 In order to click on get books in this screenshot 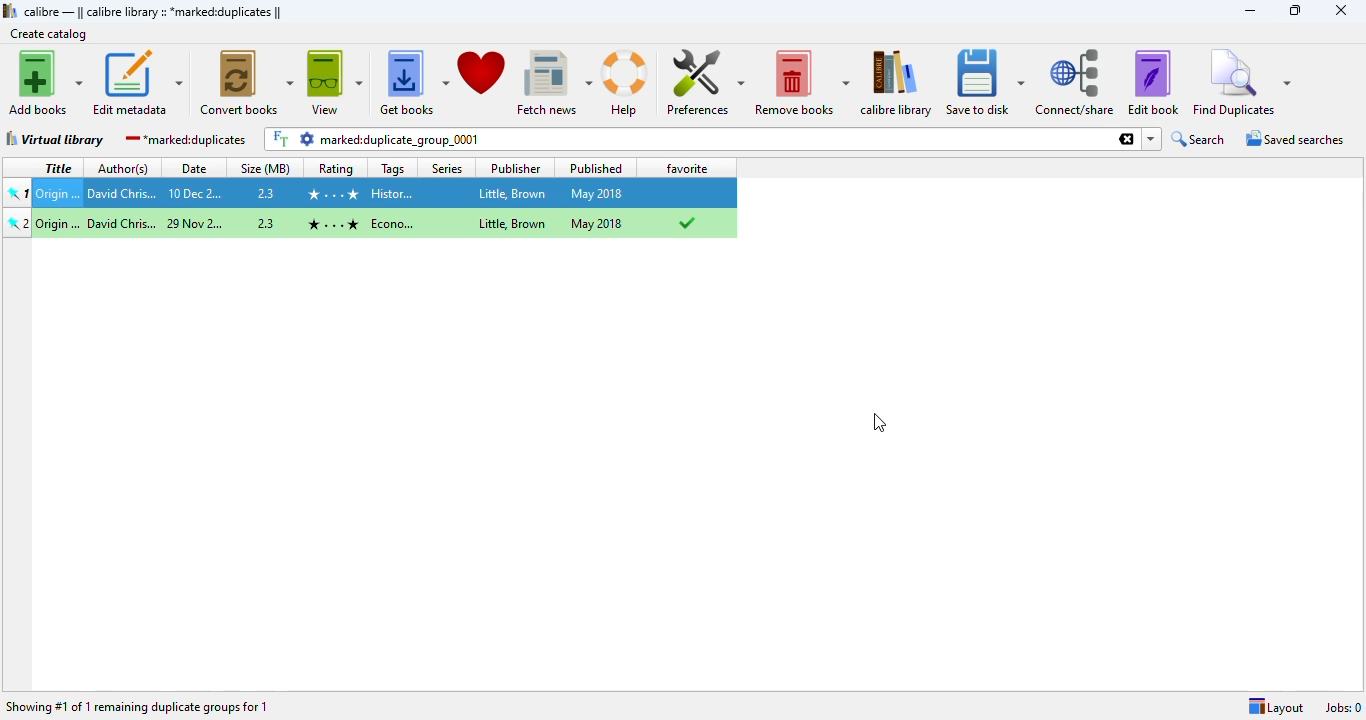, I will do `click(412, 81)`.